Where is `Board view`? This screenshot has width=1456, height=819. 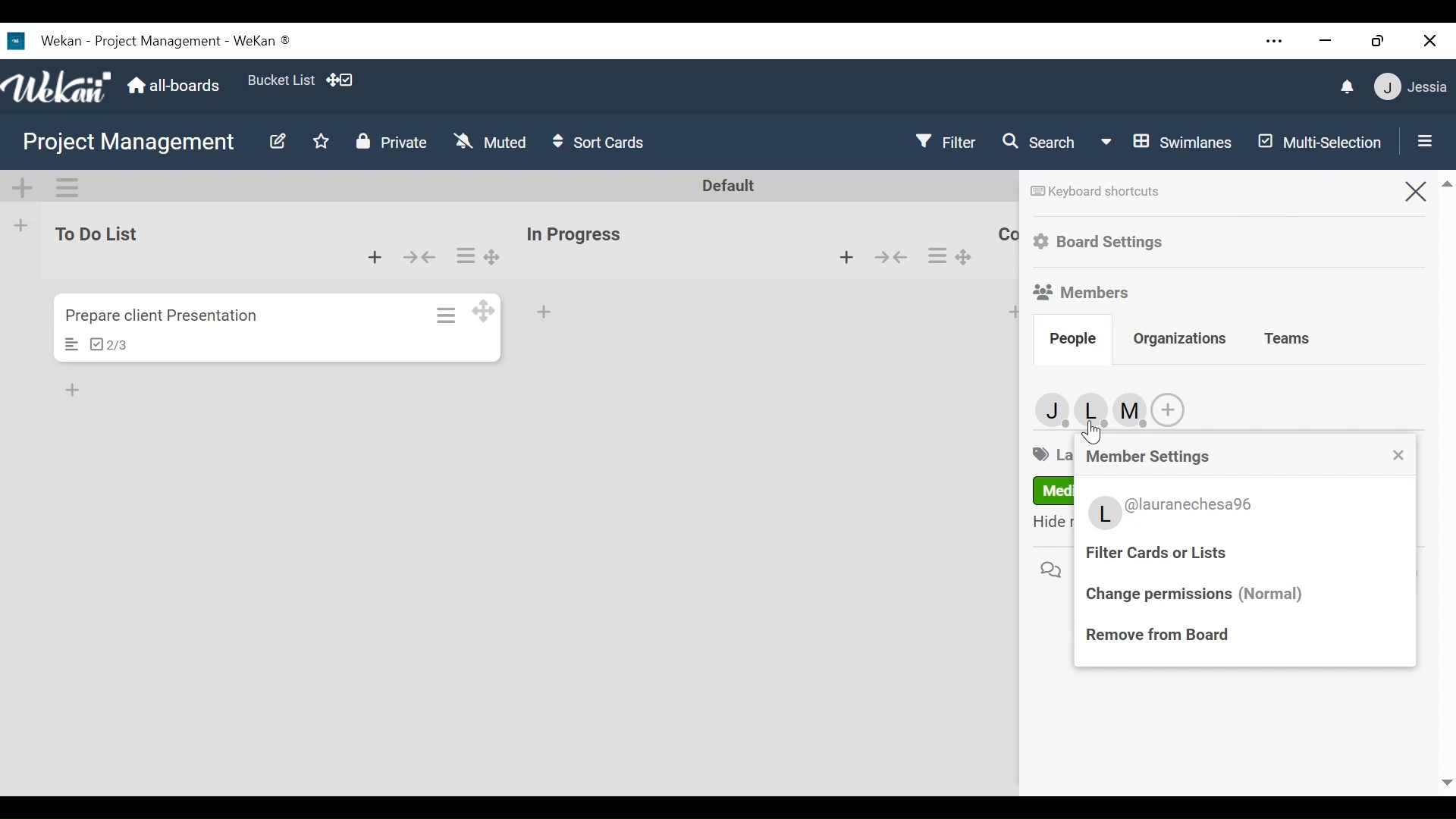 Board view is located at coordinates (1167, 142).